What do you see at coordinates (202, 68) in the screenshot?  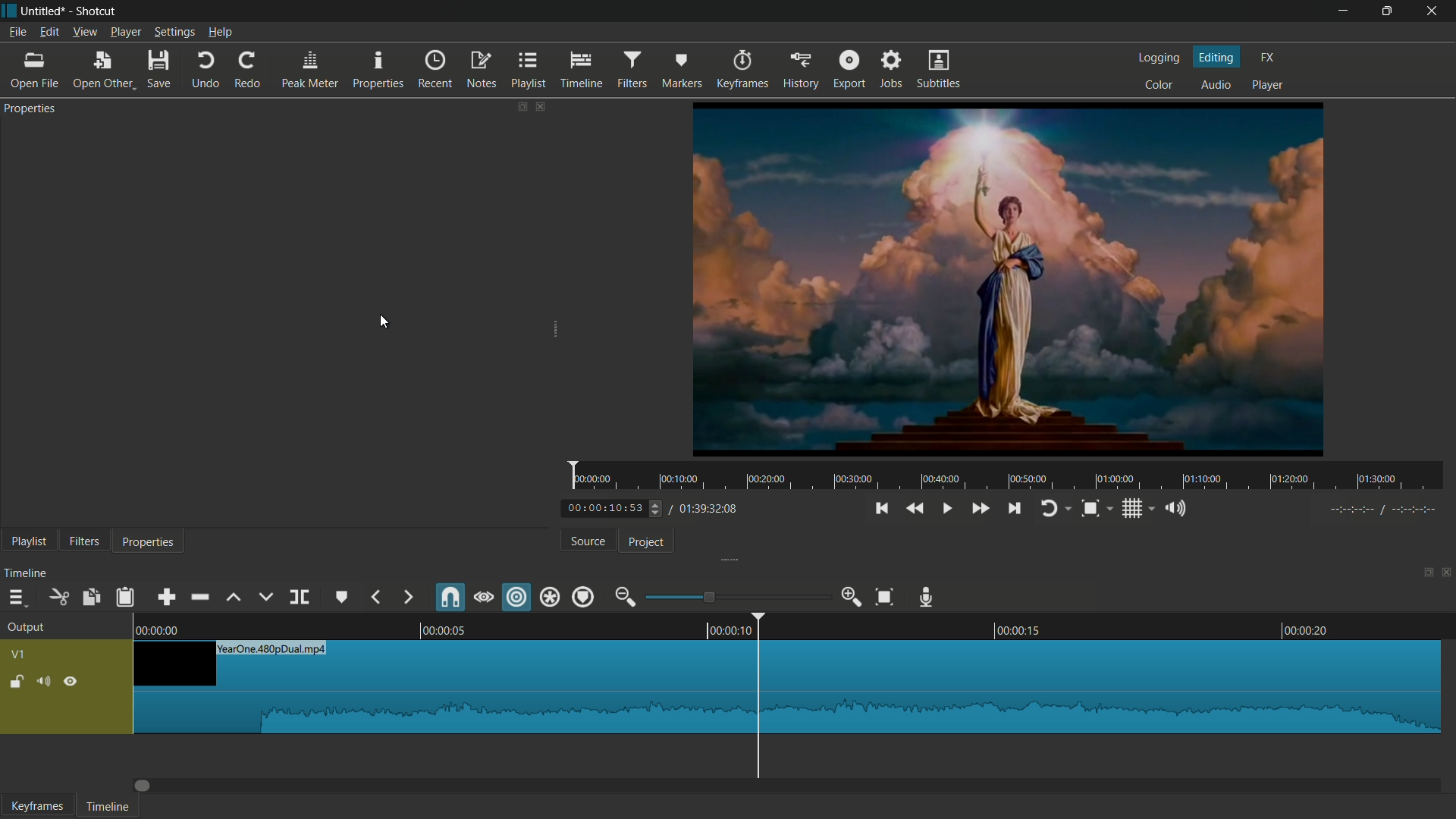 I see `undo` at bounding box center [202, 68].